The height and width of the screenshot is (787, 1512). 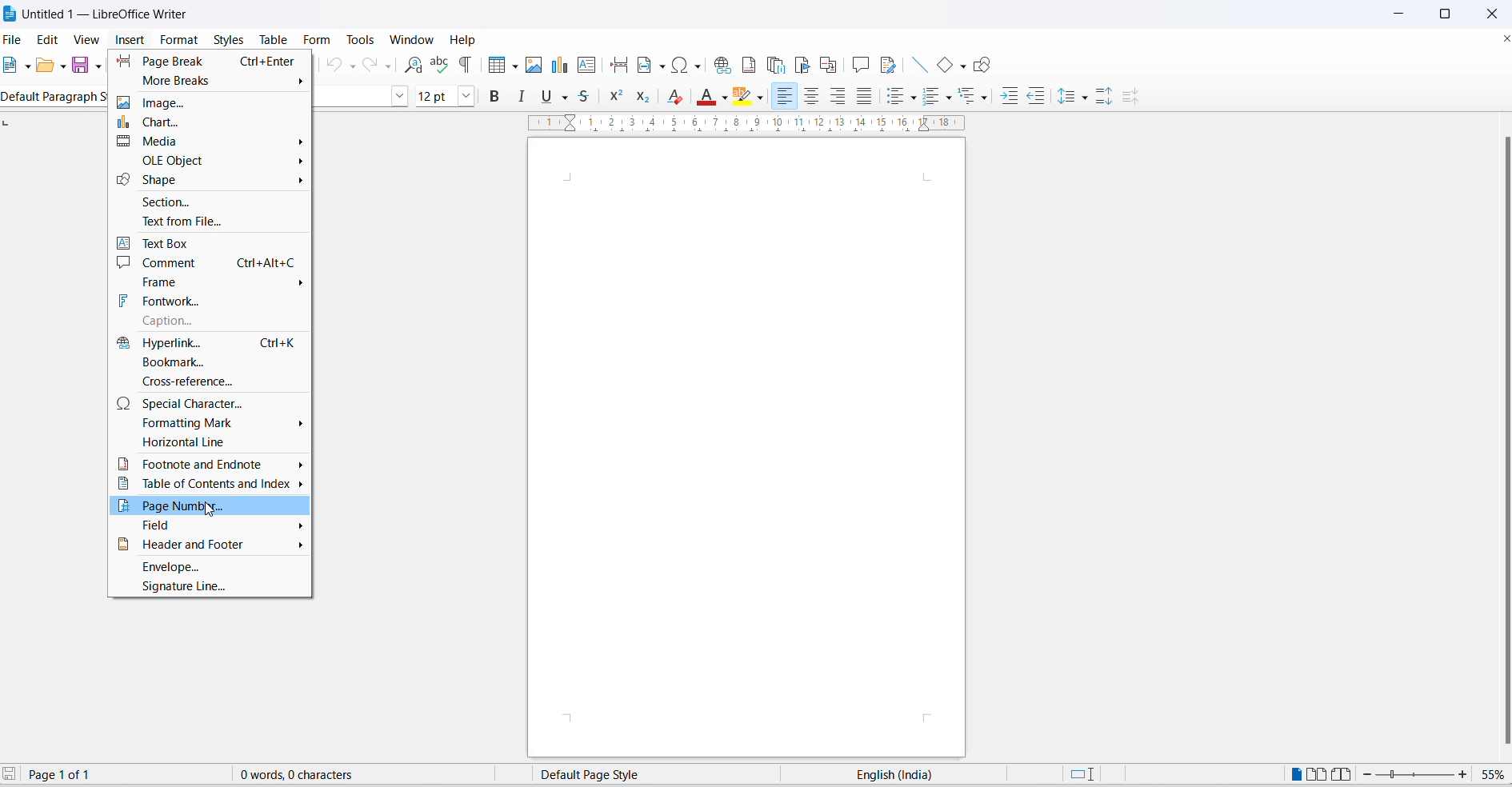 I want to click on insert comments, so click(x=862, y=64).